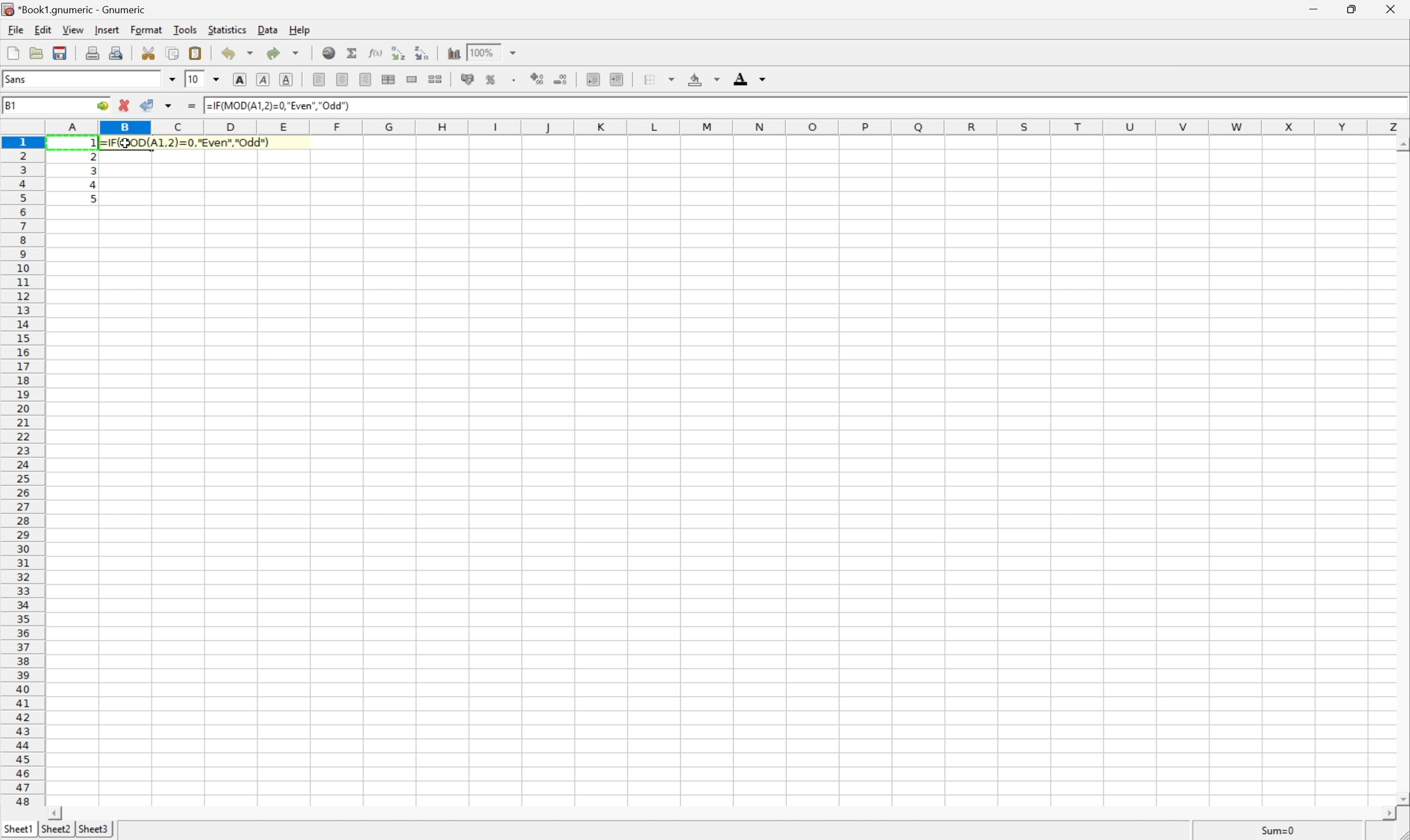 This screenshot has height=840, width=1410. What do you see at coordinates (95, 185) in the screenshot?
I see `4` at bounding box center [95, 185].